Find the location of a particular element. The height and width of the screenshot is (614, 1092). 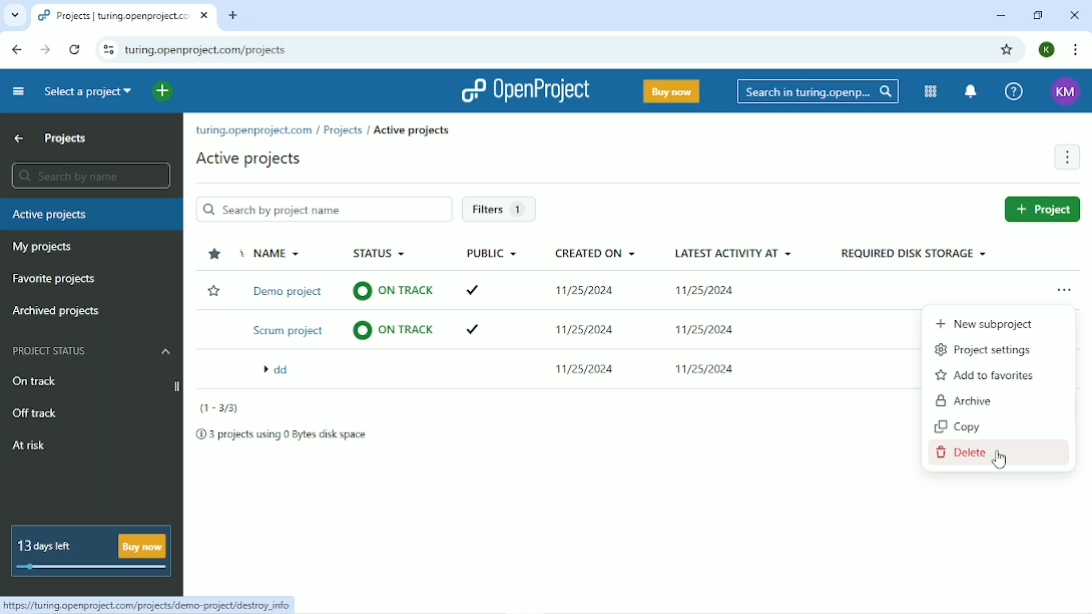

11/25/2024 is located at coordinates (584, 331).